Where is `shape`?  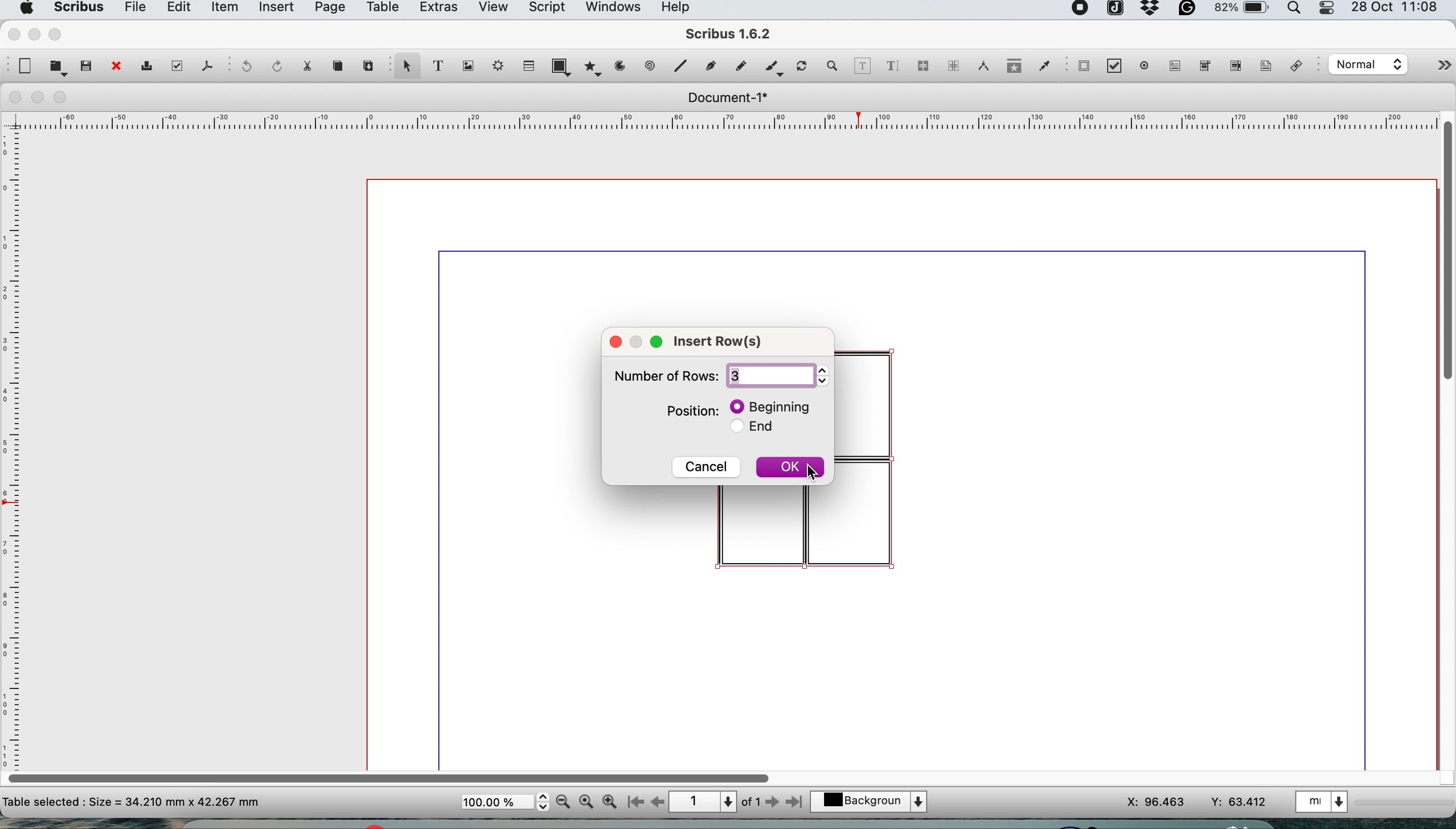 shape is located at coordinates (564, 66).